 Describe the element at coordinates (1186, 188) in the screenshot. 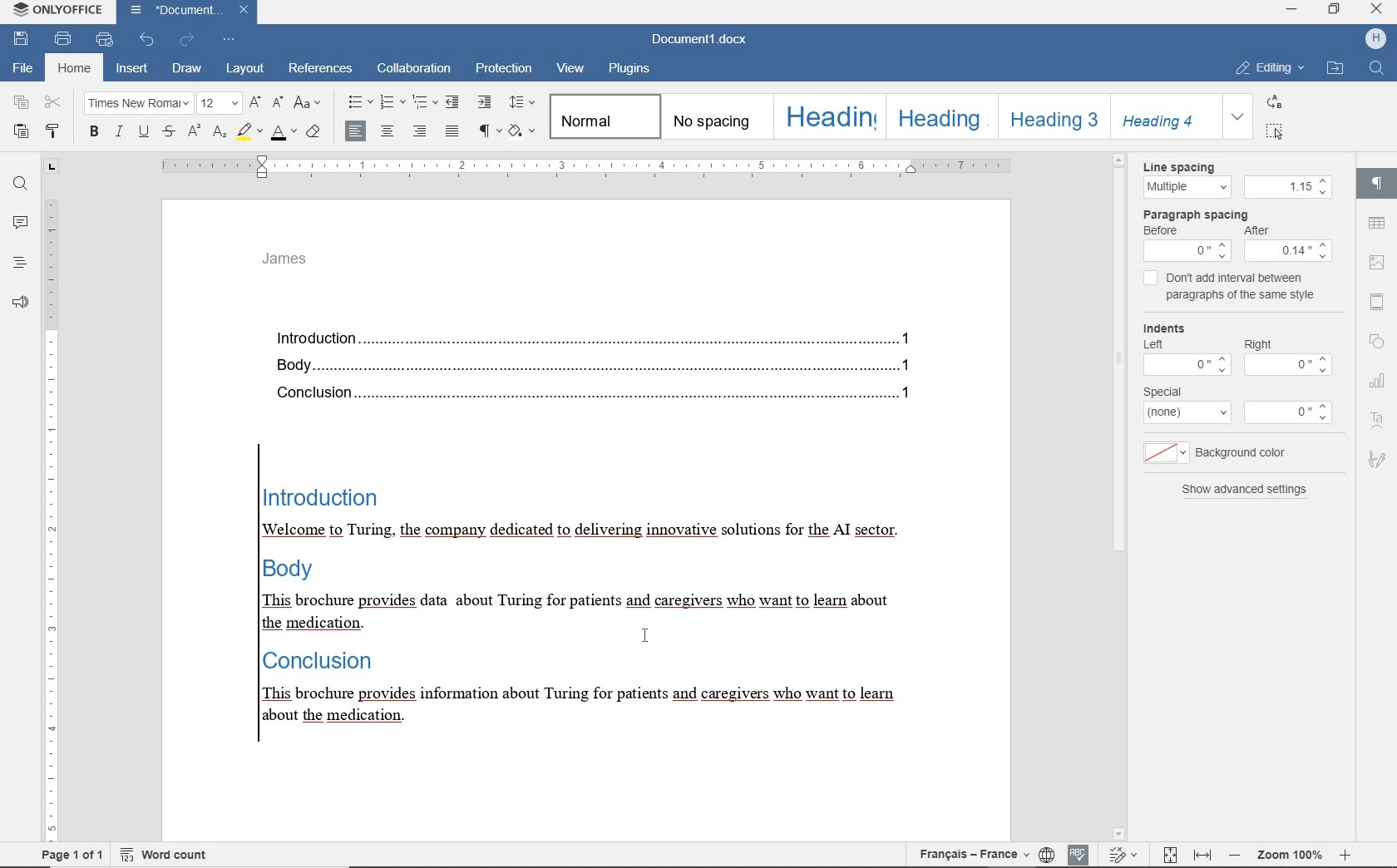

I see `Multiple` at that location.